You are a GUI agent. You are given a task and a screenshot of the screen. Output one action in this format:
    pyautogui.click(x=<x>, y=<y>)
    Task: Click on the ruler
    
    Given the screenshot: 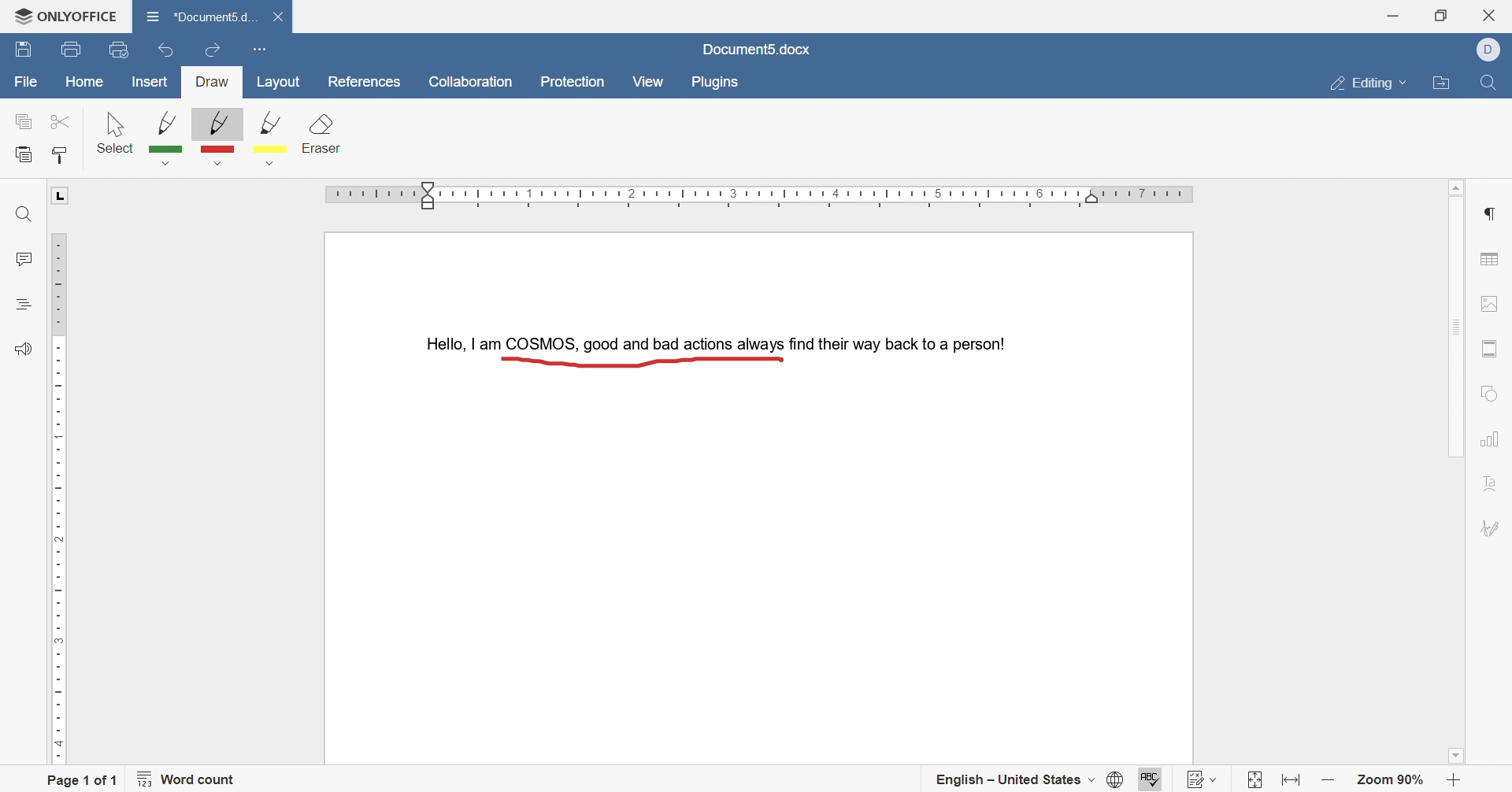 What is the action you would take?
    pyautogui.click(x=764, y=196)
    